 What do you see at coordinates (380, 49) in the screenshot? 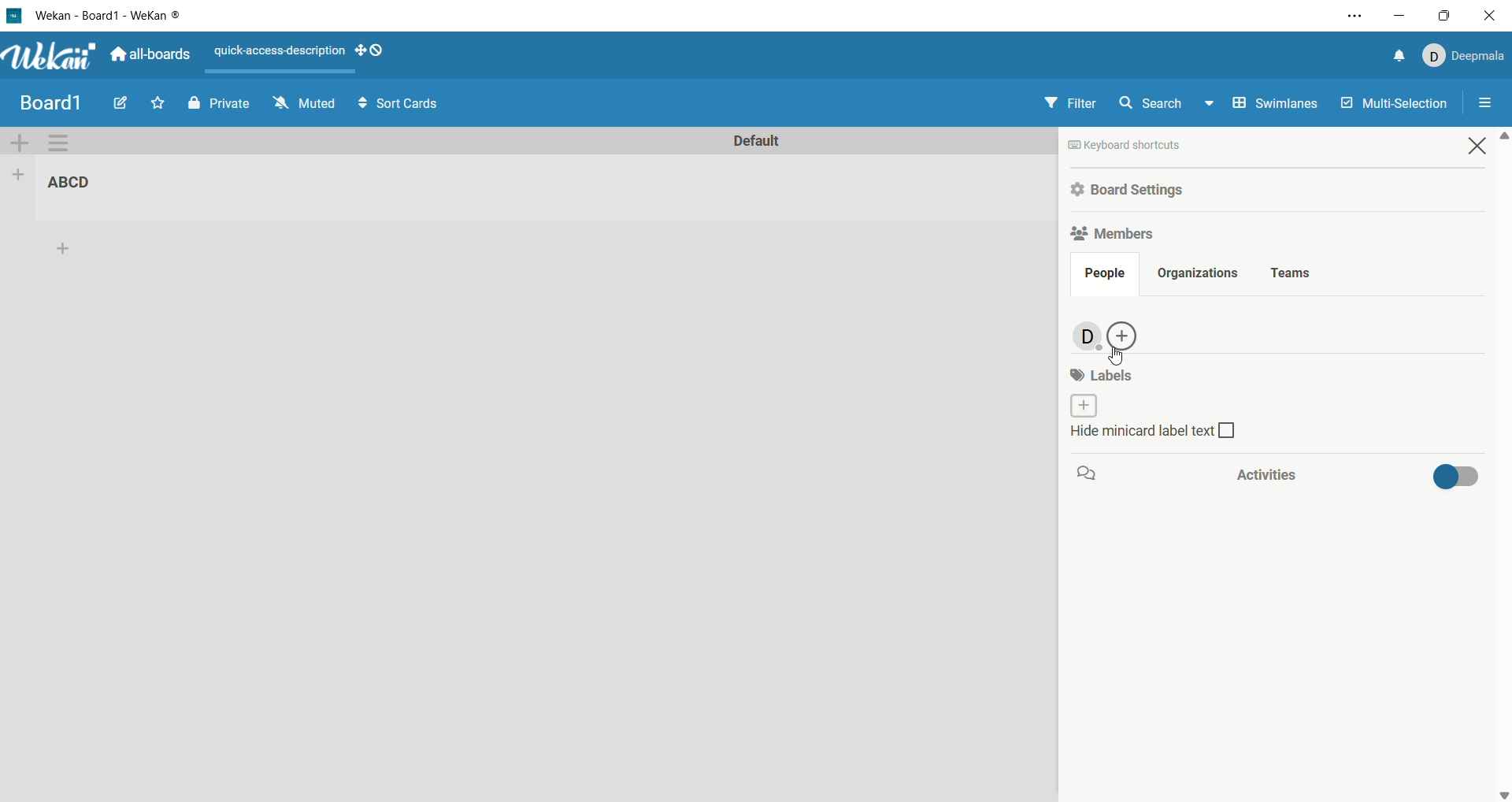
I see `show-desktop-drag-handles` at bounding box center [380, 49].